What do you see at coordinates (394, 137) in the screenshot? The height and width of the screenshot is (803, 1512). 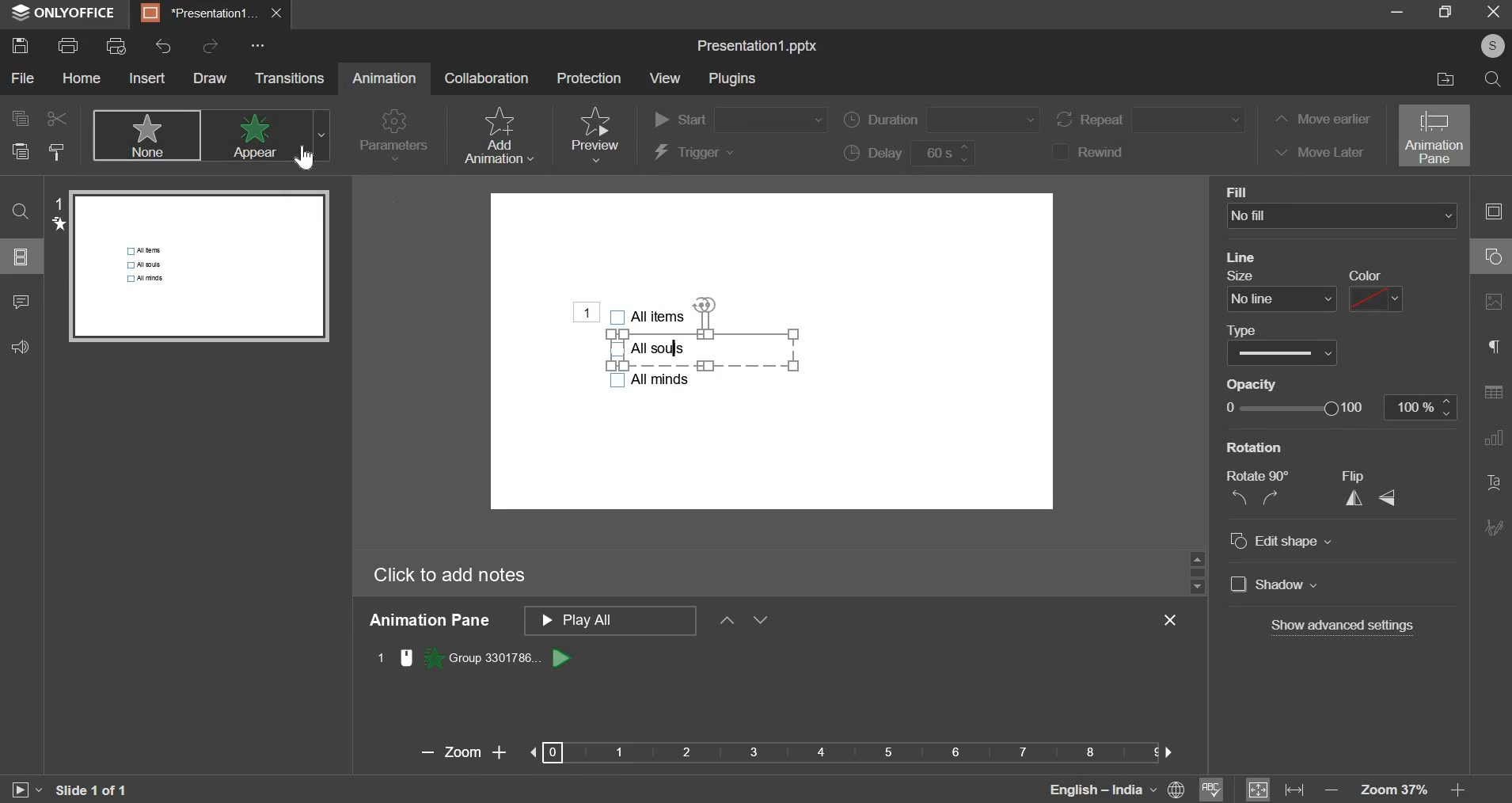 I see `parameters` at bounding box center [394, 137].